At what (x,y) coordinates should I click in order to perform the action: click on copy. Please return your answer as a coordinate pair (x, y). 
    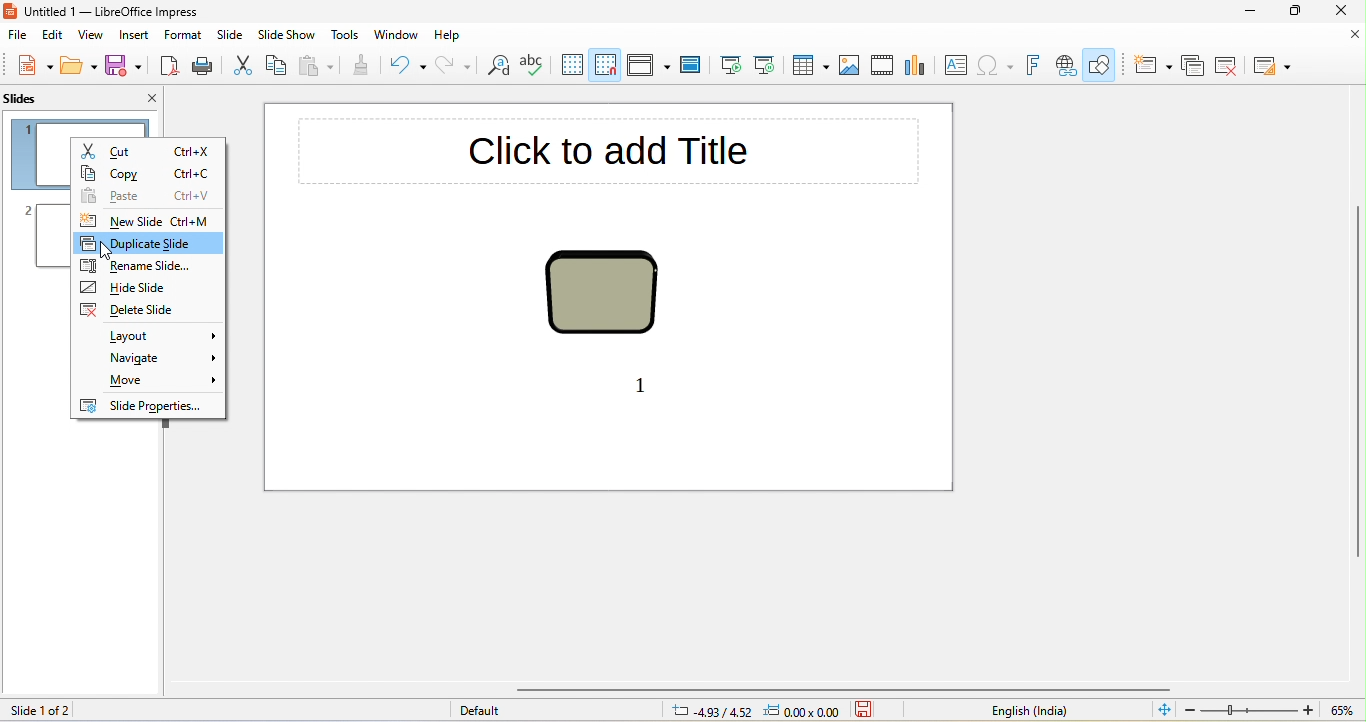
    Looking at the image, I should click on (279, 67).